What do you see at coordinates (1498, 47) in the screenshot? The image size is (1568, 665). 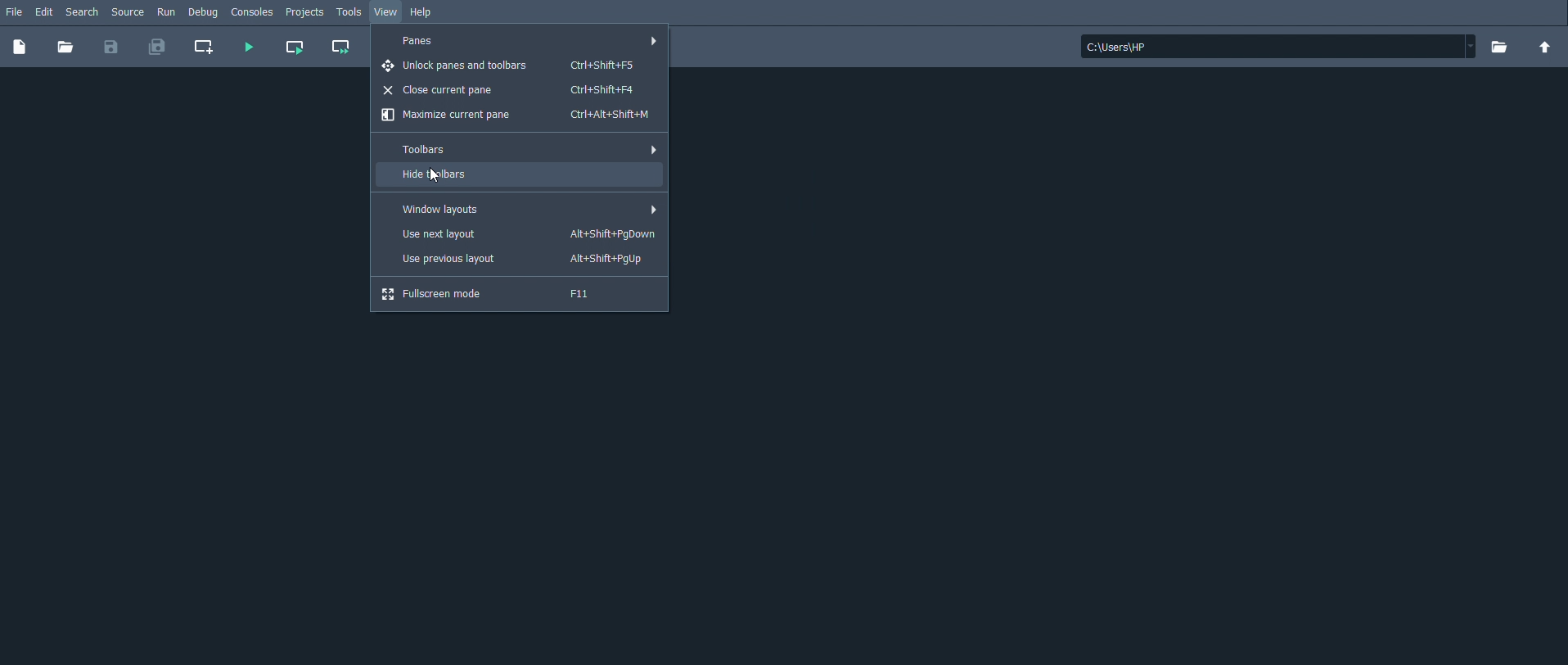 I see `Browse a working directory` at bounding box center [1498, 47].